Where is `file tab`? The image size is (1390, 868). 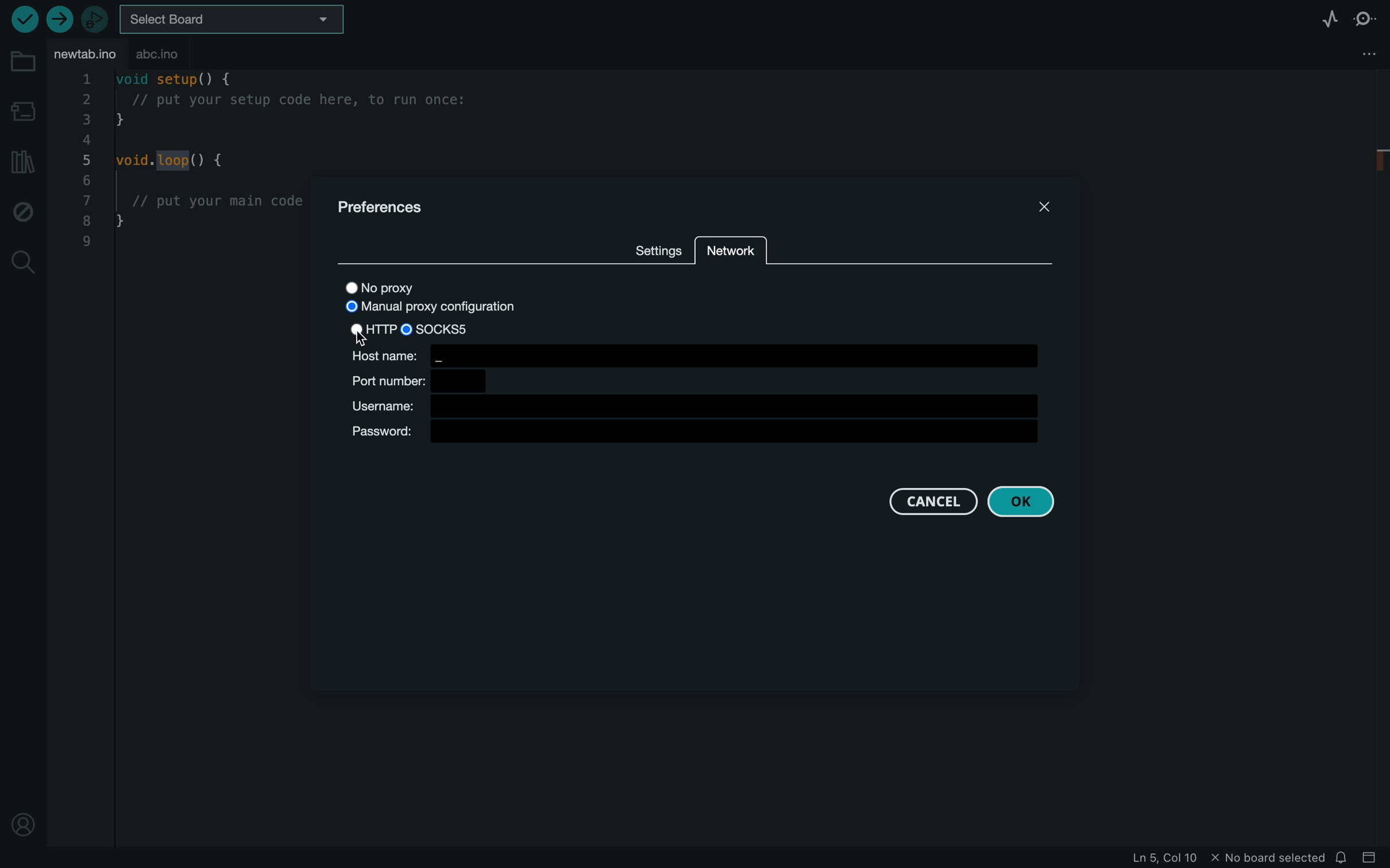 file tab is located at coordinates (86, 55).